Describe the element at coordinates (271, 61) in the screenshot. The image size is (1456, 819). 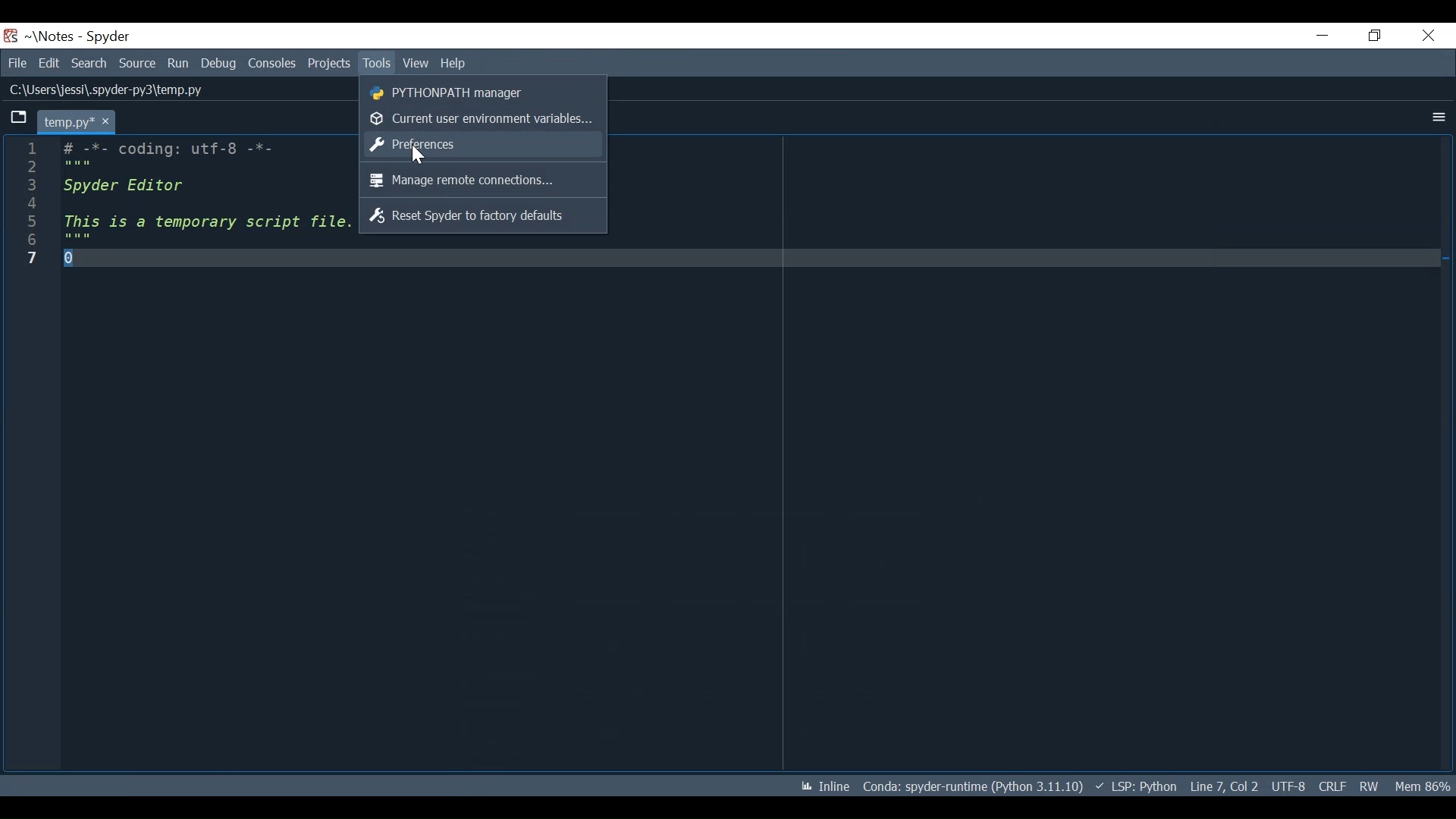
I see `Consoles` at that location.